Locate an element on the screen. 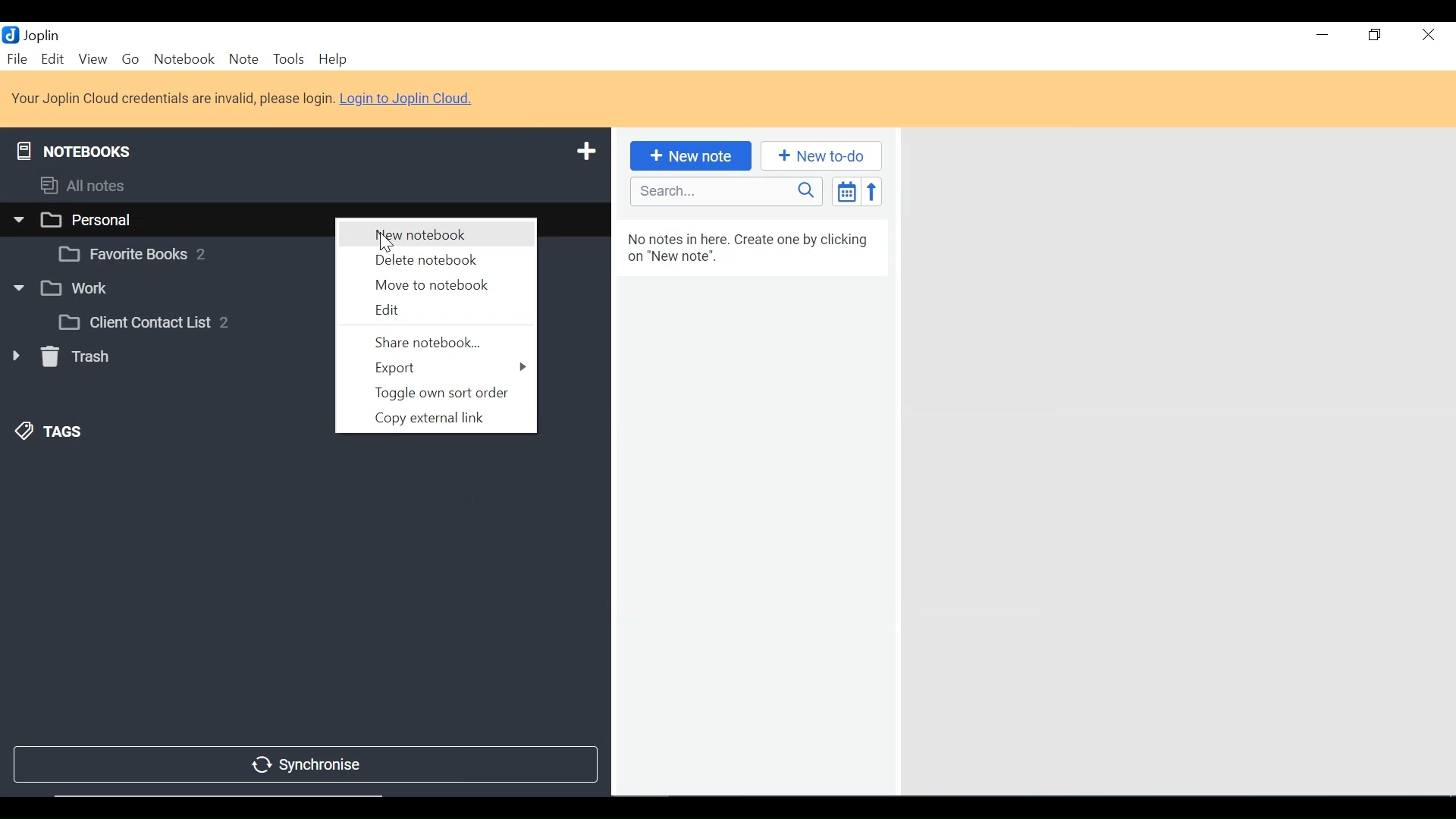  File is located at coordinates (18, 60).